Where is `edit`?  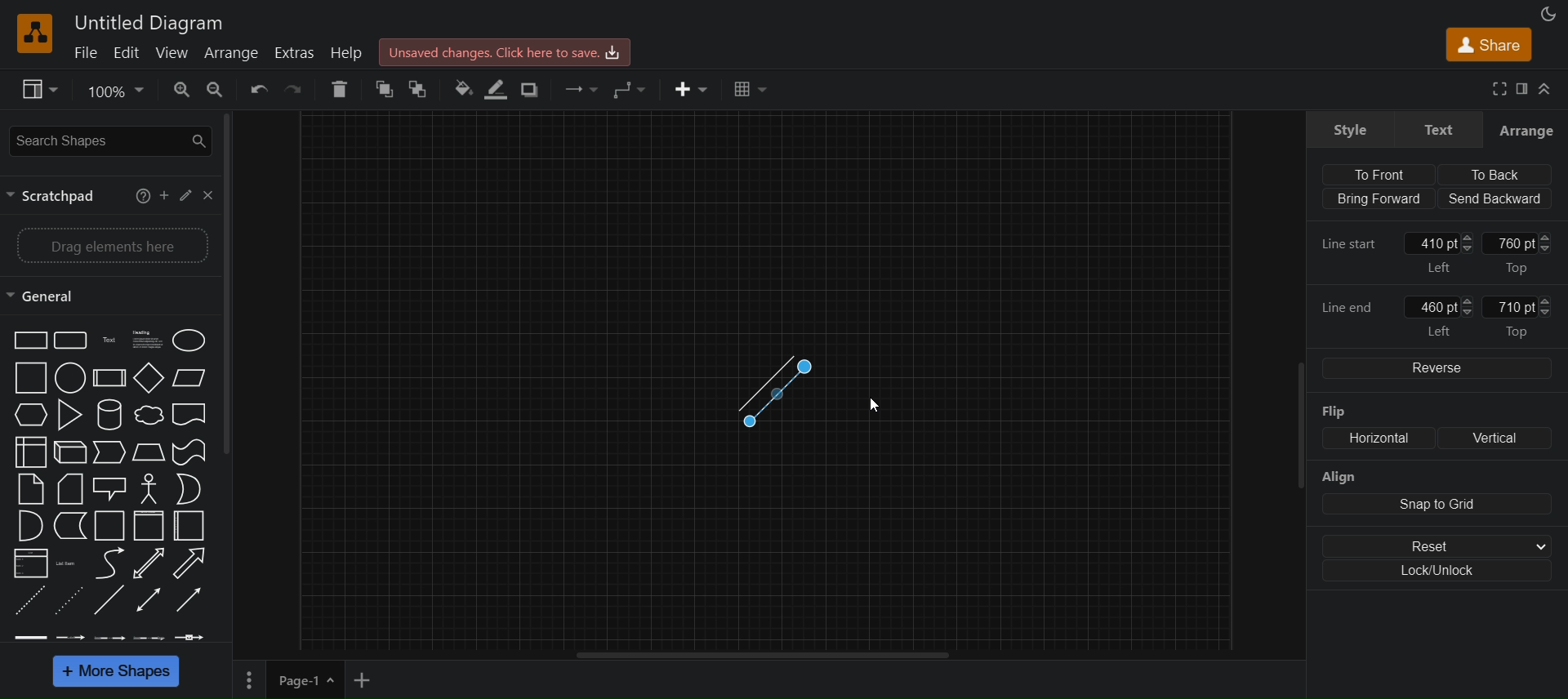
edit is located at coordinates (184, 195).